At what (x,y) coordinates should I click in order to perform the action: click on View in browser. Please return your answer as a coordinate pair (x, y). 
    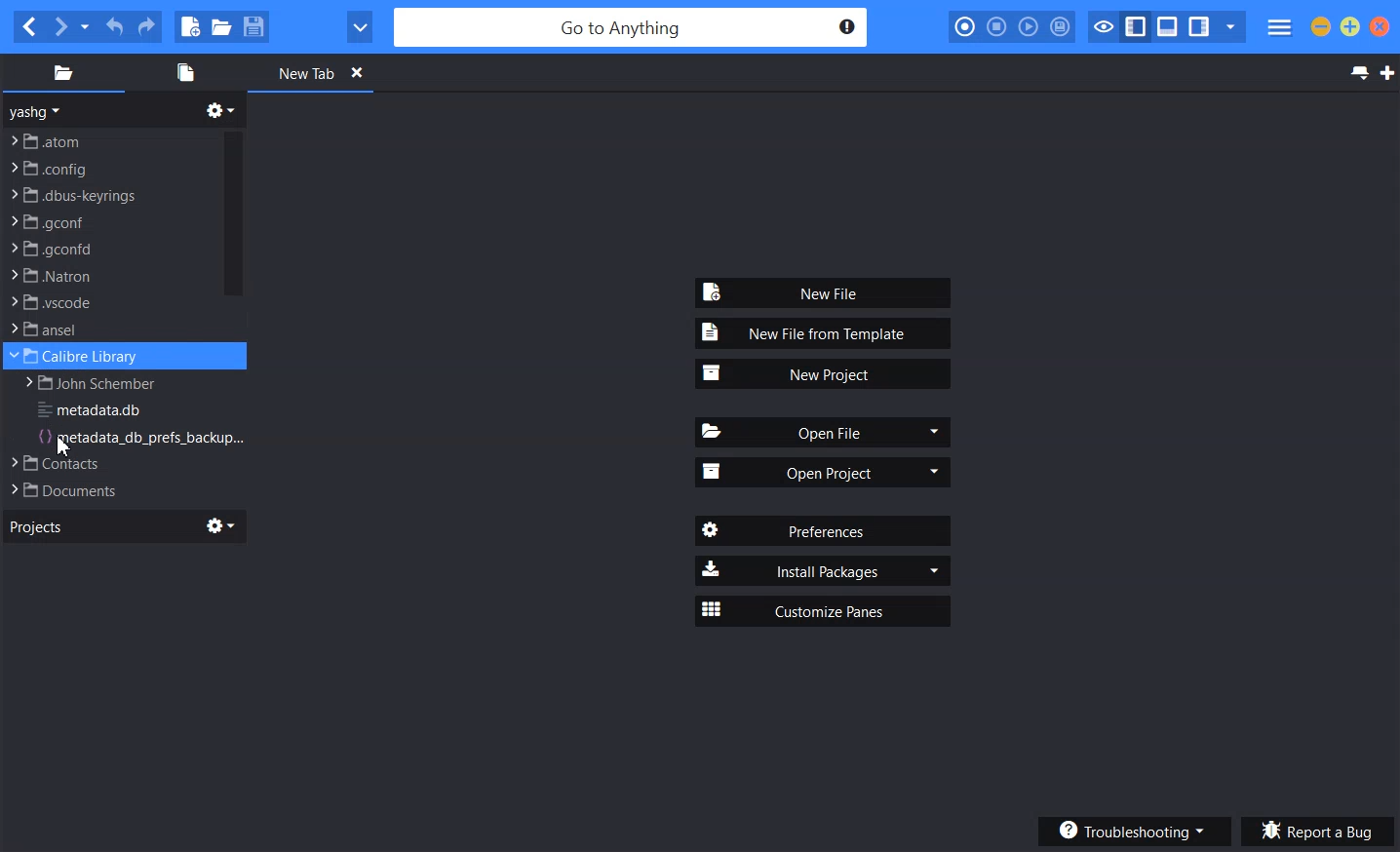
    Looking at the image, I should click on (360, 27).